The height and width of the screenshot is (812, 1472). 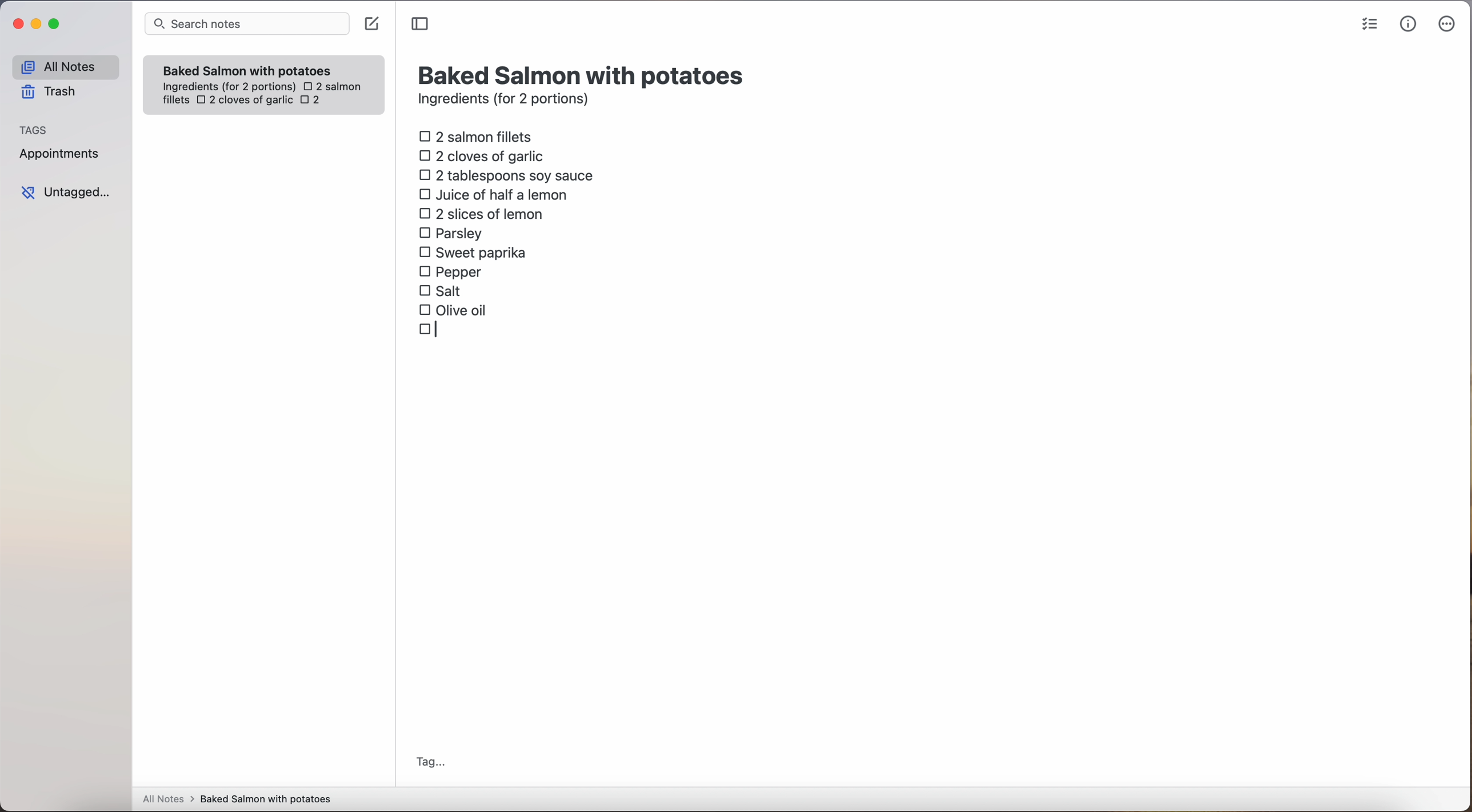 I want to click on 2 salmon fillets, so click(x=479, y=135).